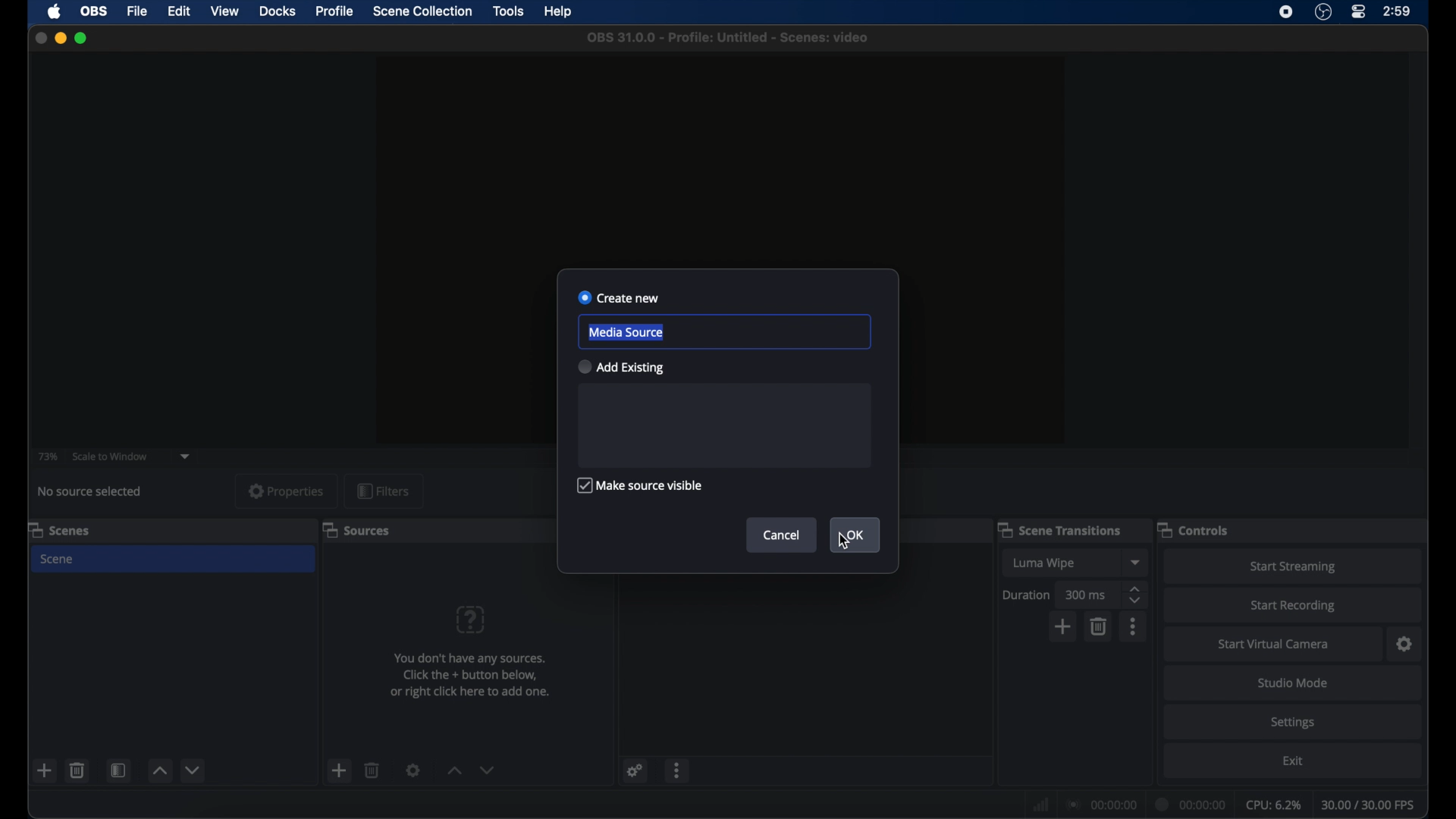 This screenshot has height=819, width=1456. Describe the element at coordinates (677, 770) in the screenshot. I see `more options` at that location.